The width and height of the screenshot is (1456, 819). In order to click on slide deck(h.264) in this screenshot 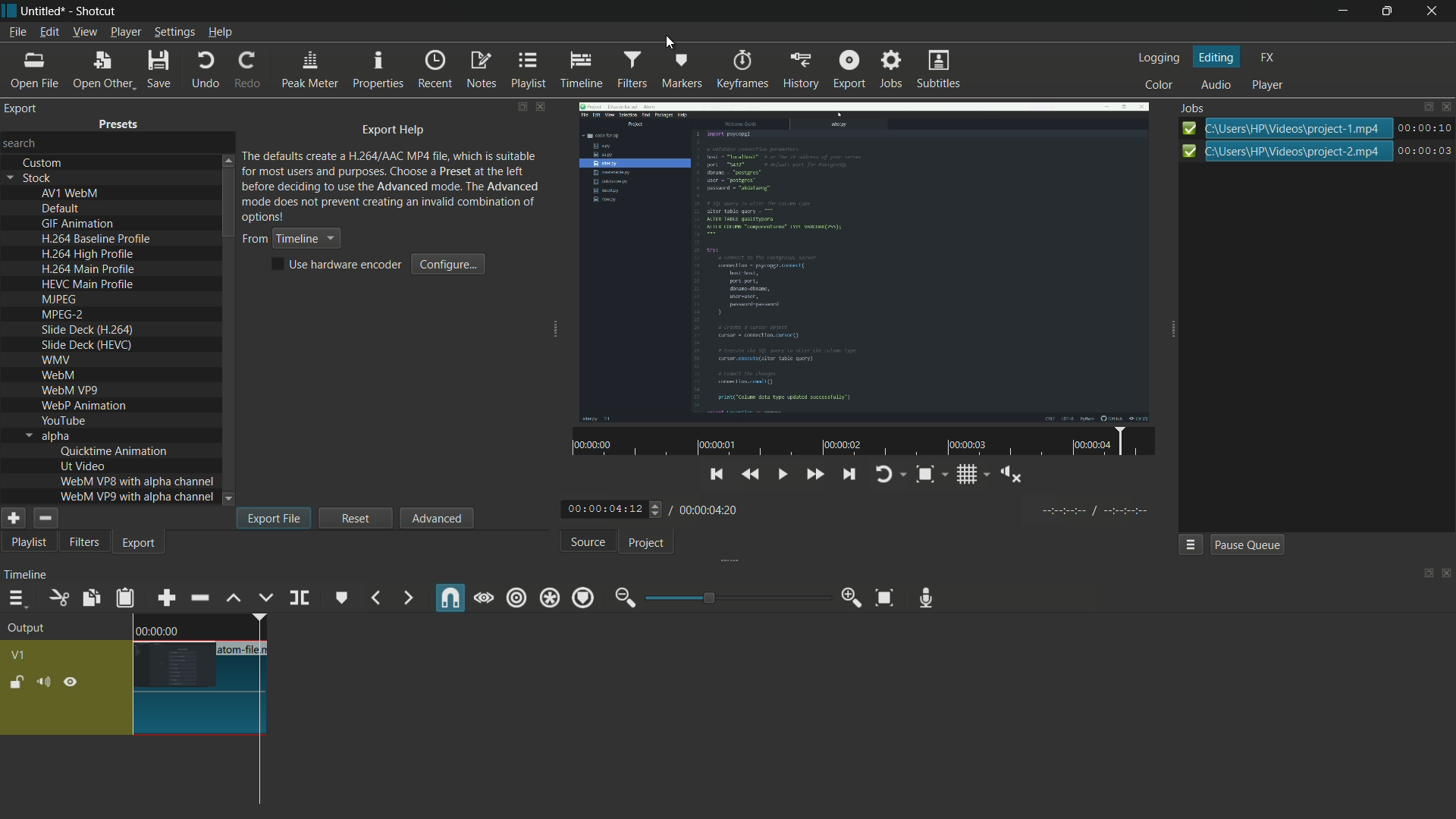, I will do `click(88, 330)`.